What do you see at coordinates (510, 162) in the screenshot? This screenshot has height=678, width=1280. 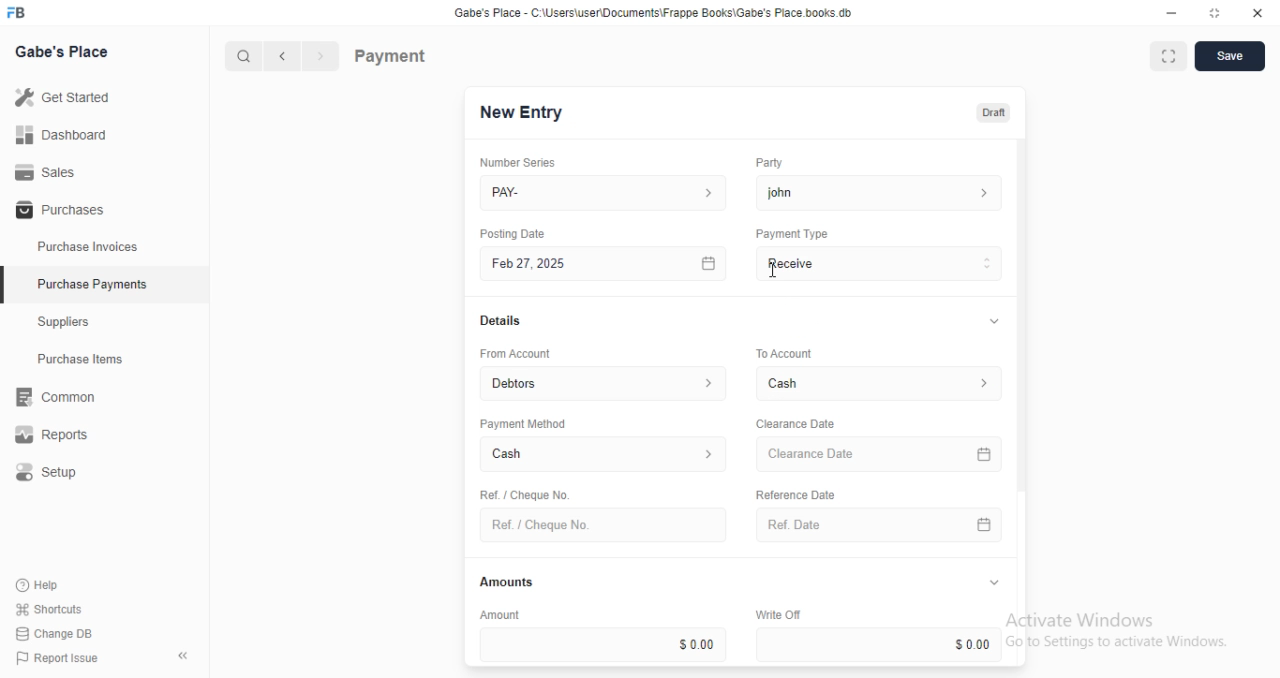 I see `Number Series` at bounding box center [510, 162].